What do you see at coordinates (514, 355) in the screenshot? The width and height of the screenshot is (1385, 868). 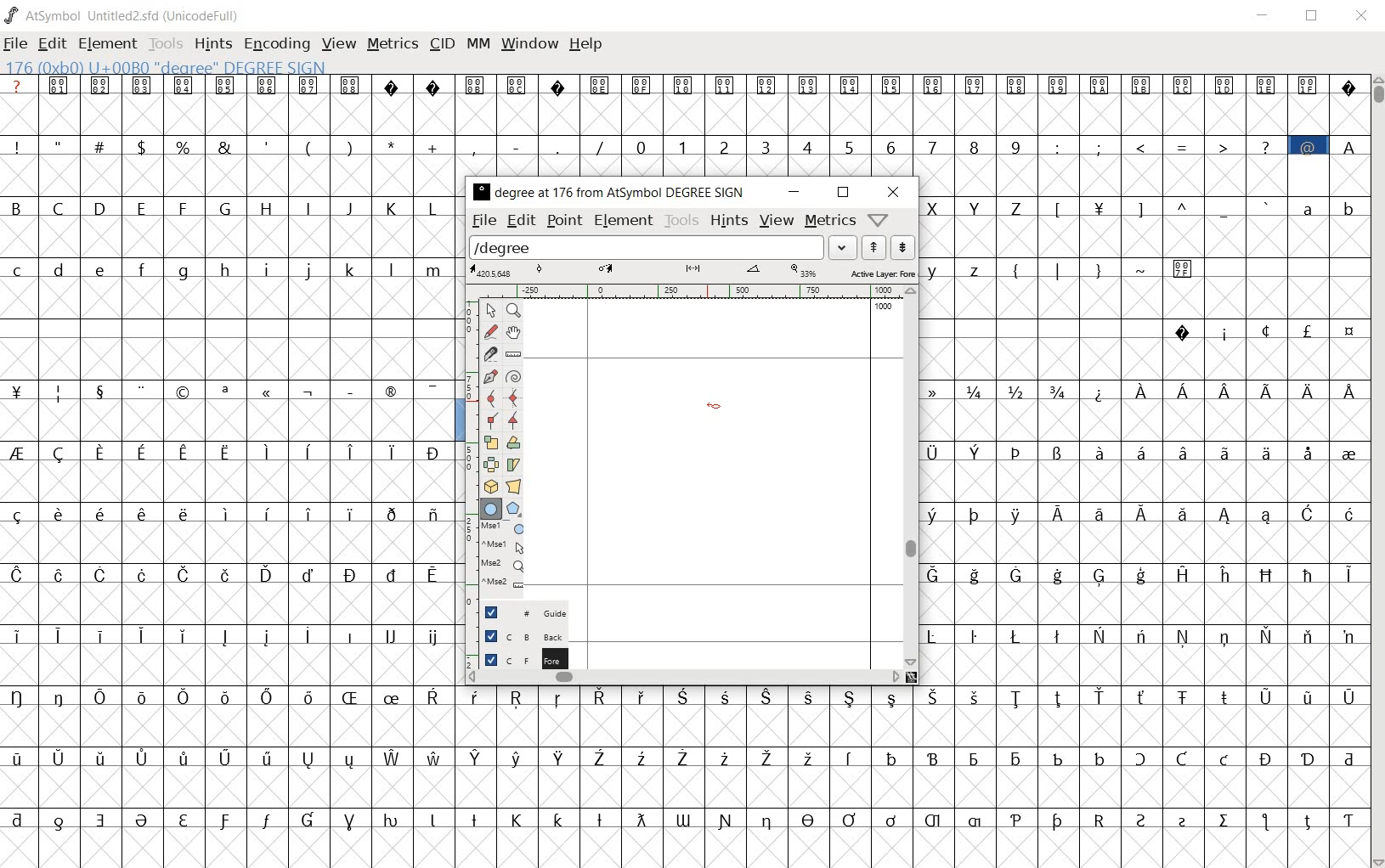 I see `measure a distance, angle between points` at bounding box center [514, 355].